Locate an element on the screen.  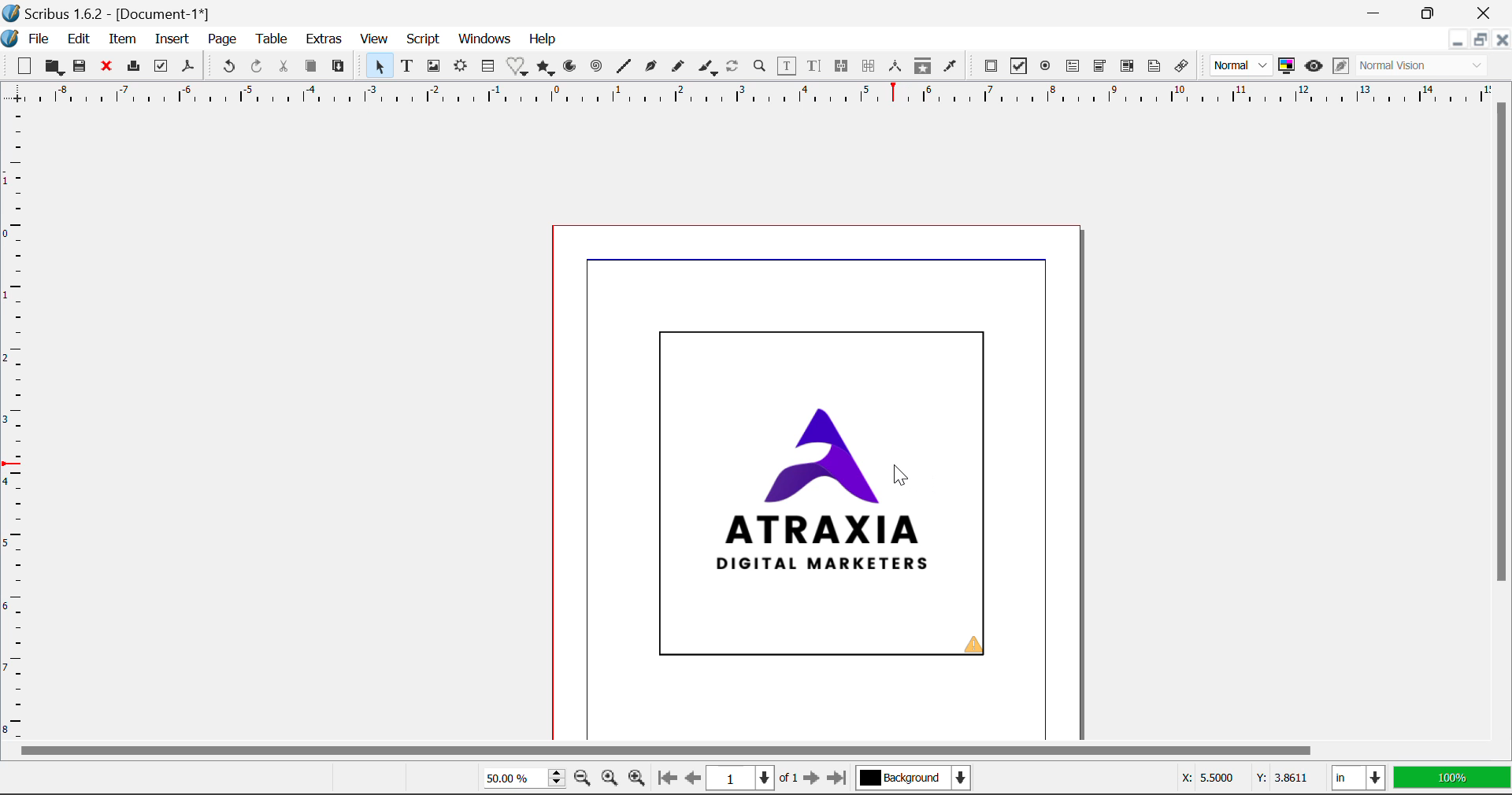
Previous page is located at coordinates (690, 777).